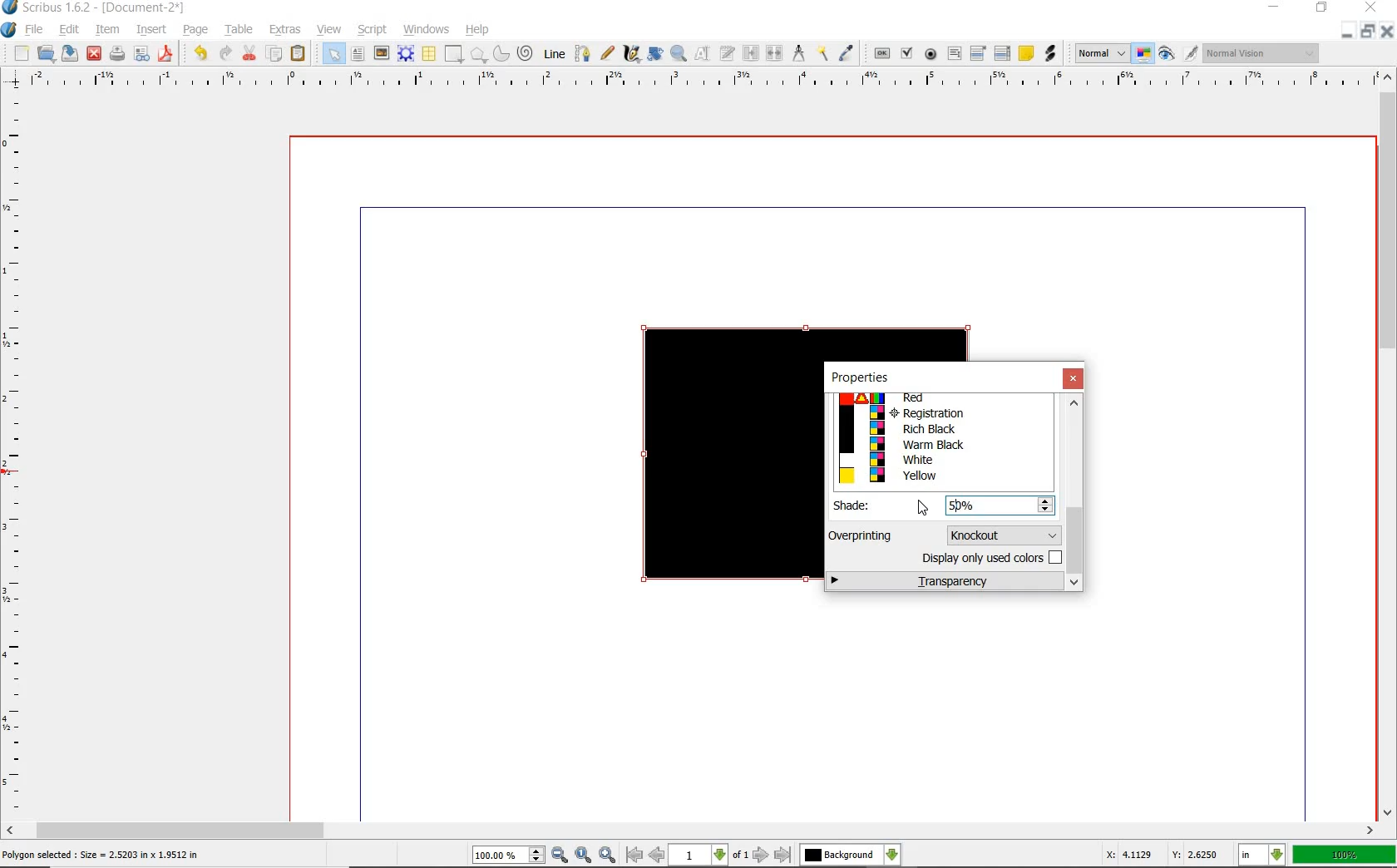  What do you see at coordinates (941, 476) in the screenshot?
I see `Yellow` at bounding box center [941, 476].